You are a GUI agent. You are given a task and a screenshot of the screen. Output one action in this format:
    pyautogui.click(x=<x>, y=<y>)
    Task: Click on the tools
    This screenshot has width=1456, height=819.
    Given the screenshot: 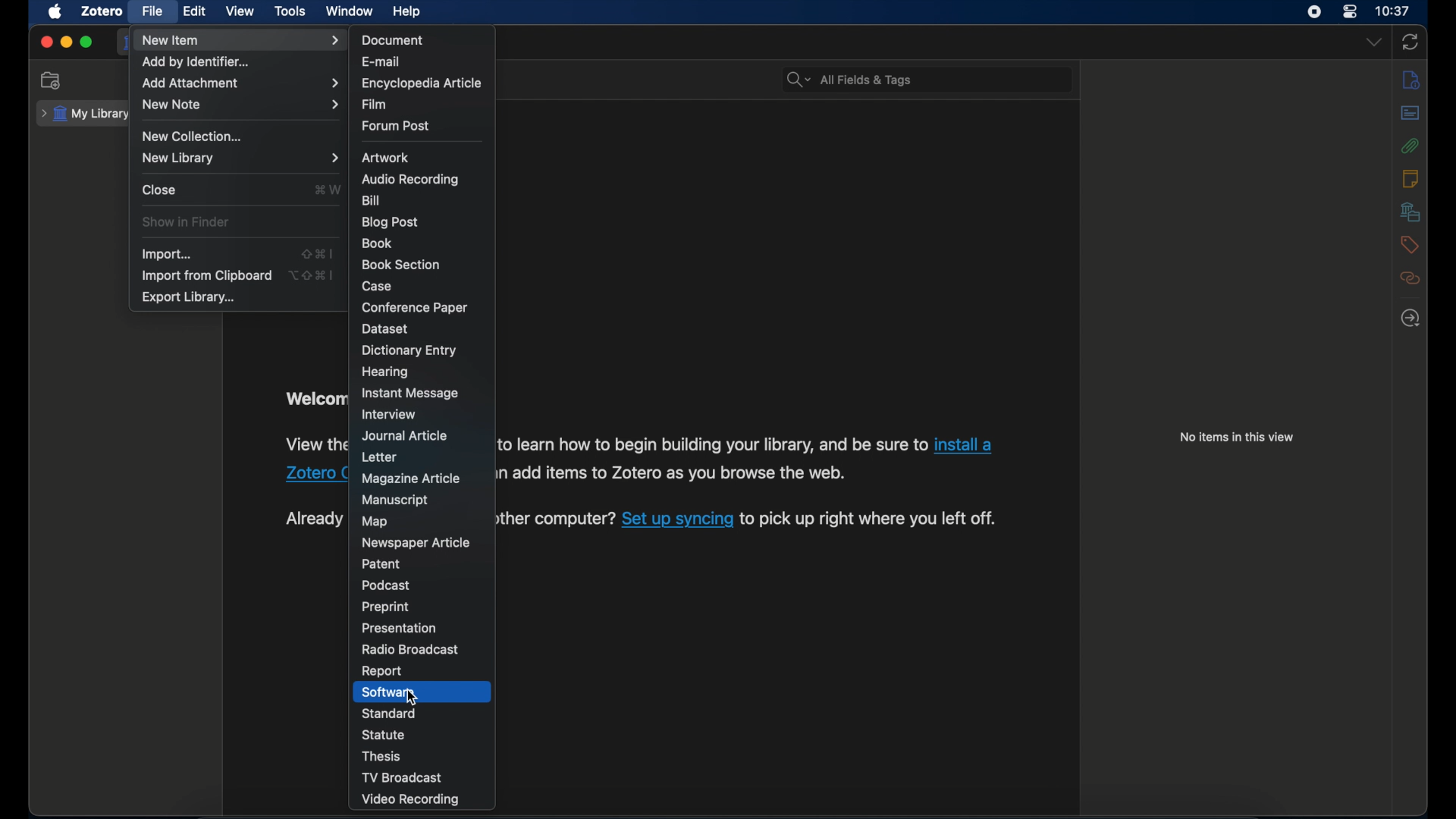 What is the action you would take?
    pyautogui.click(x=290, y=11)
    